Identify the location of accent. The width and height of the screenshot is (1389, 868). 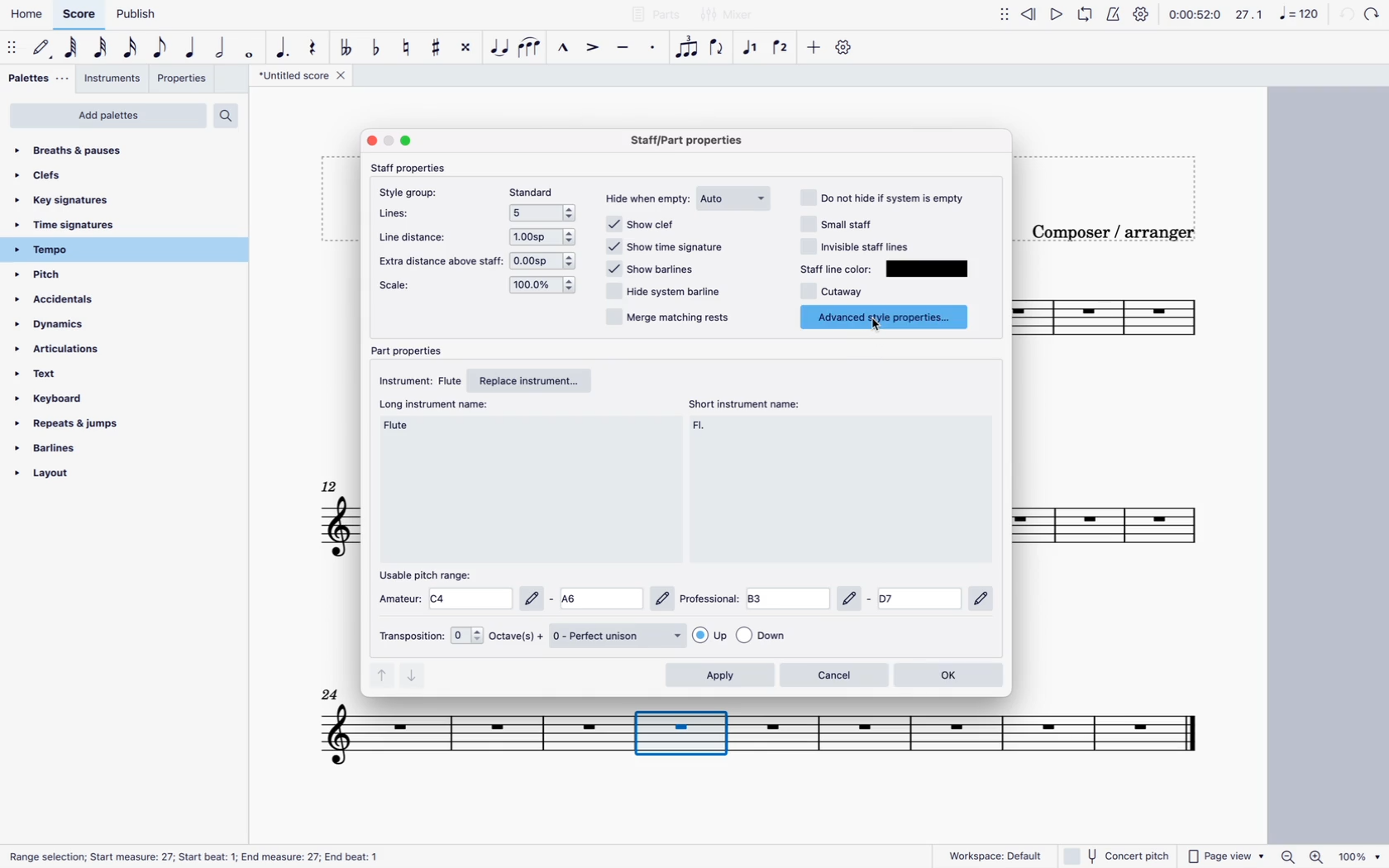
(594, 47).